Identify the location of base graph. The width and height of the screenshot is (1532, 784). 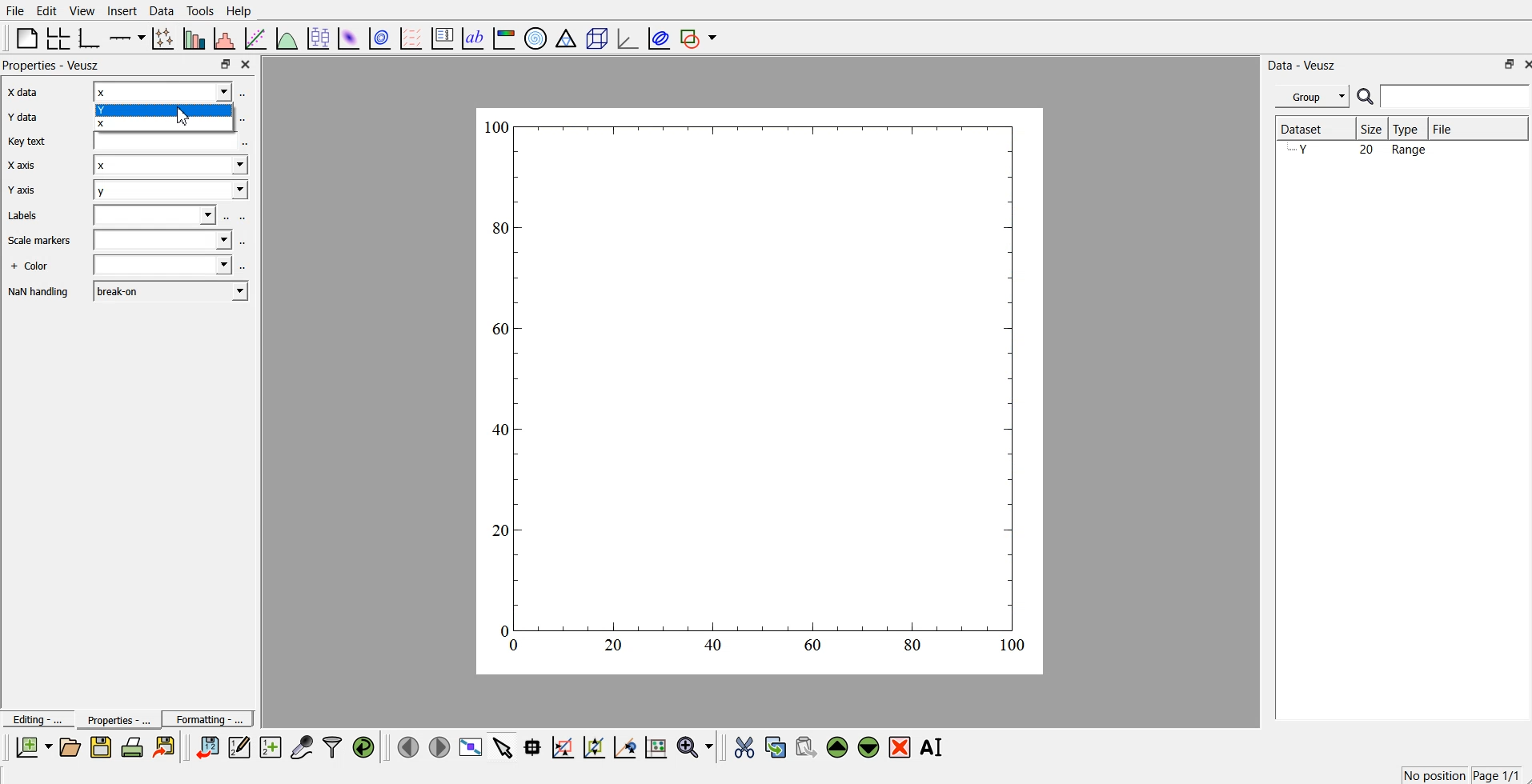
(90, 37).